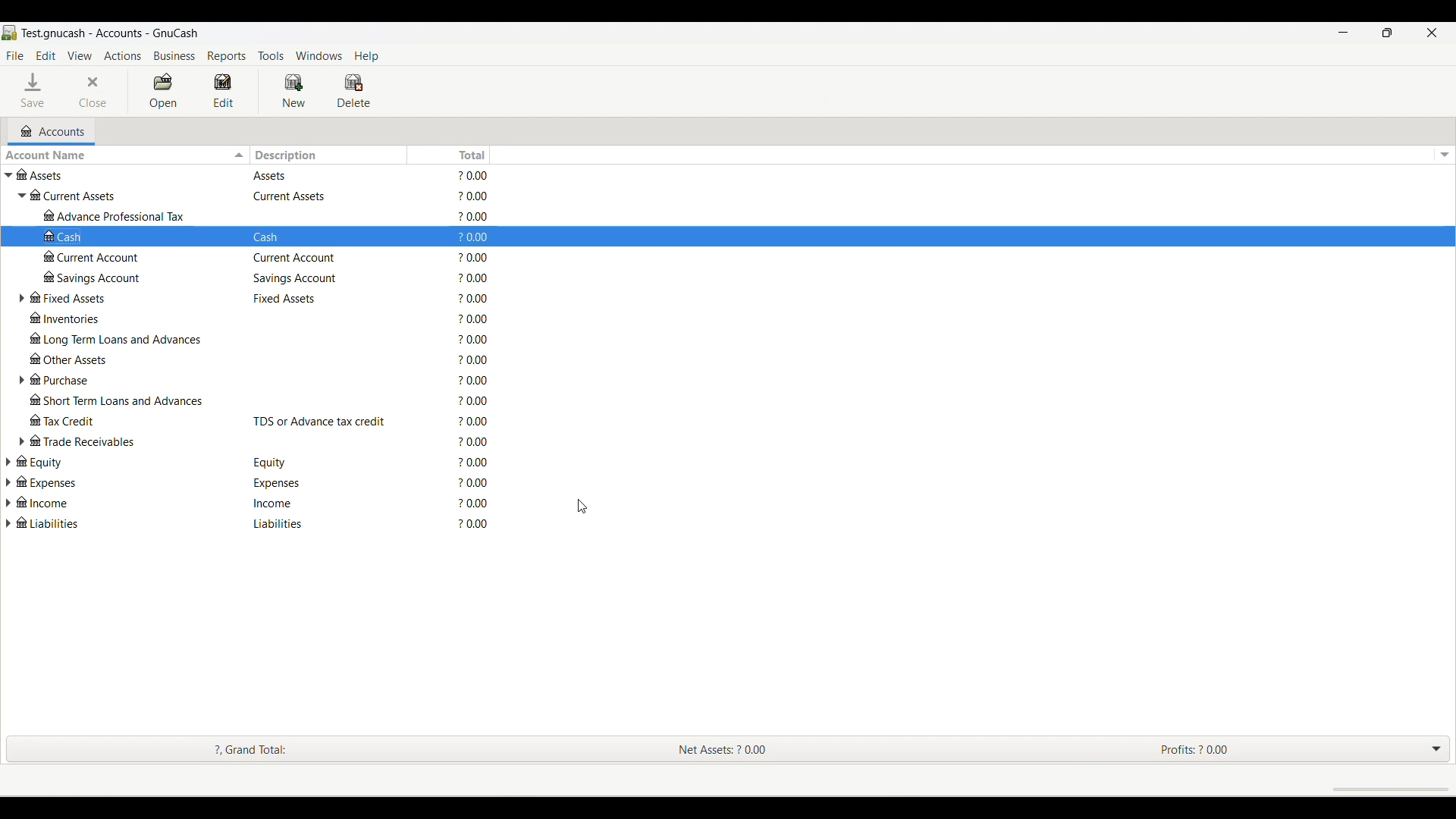  I want to click on Fixed assets, so click(127, 298).